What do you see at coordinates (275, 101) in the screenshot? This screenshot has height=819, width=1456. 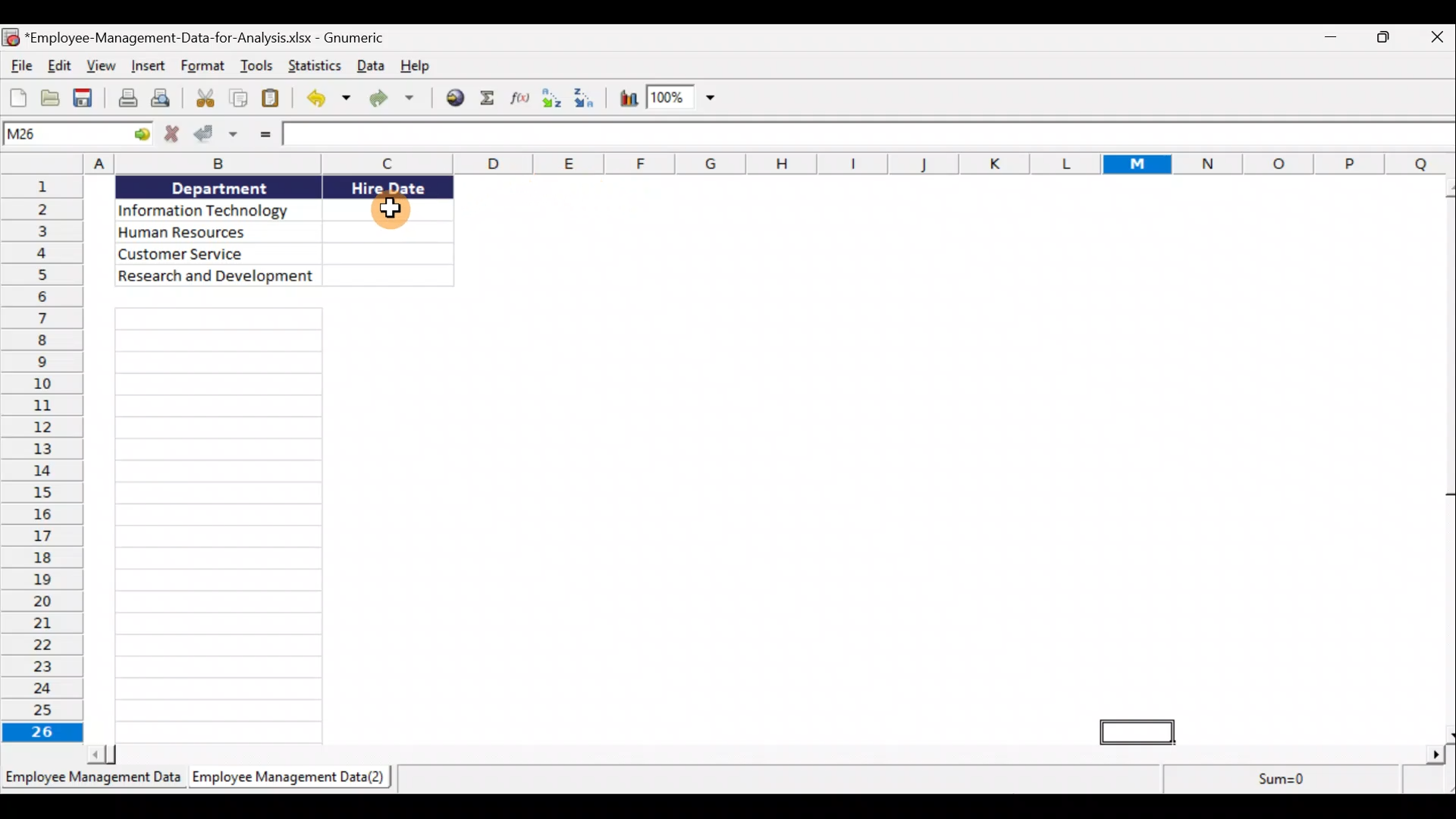 I see `Paste clipboard` at bounding box center [275, 101].